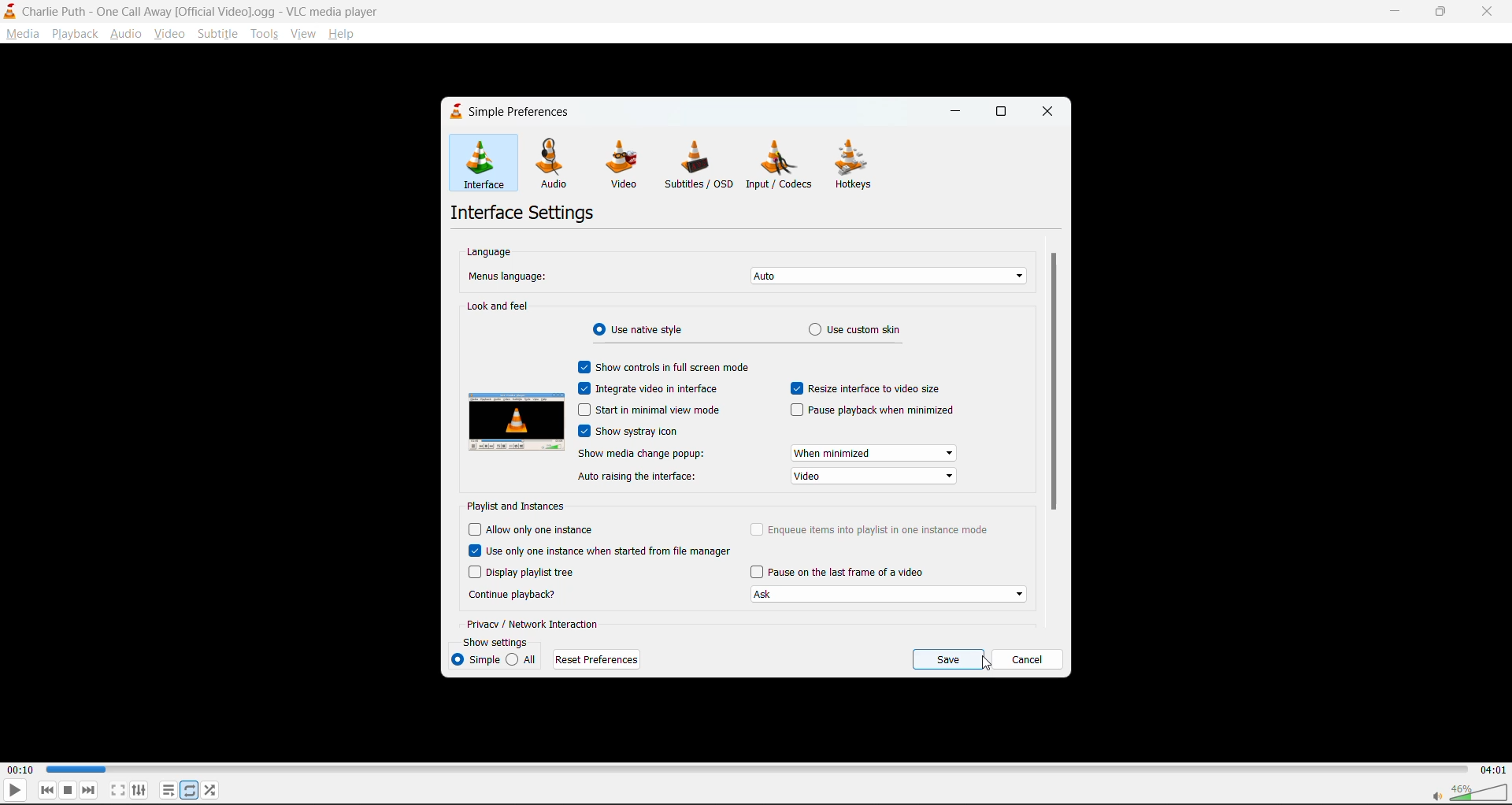 The image size is (1512, 805). What do you see at coordinates (1031, 660) in the screenshot?
I see `cancel` at bounding box center [1031, 660].